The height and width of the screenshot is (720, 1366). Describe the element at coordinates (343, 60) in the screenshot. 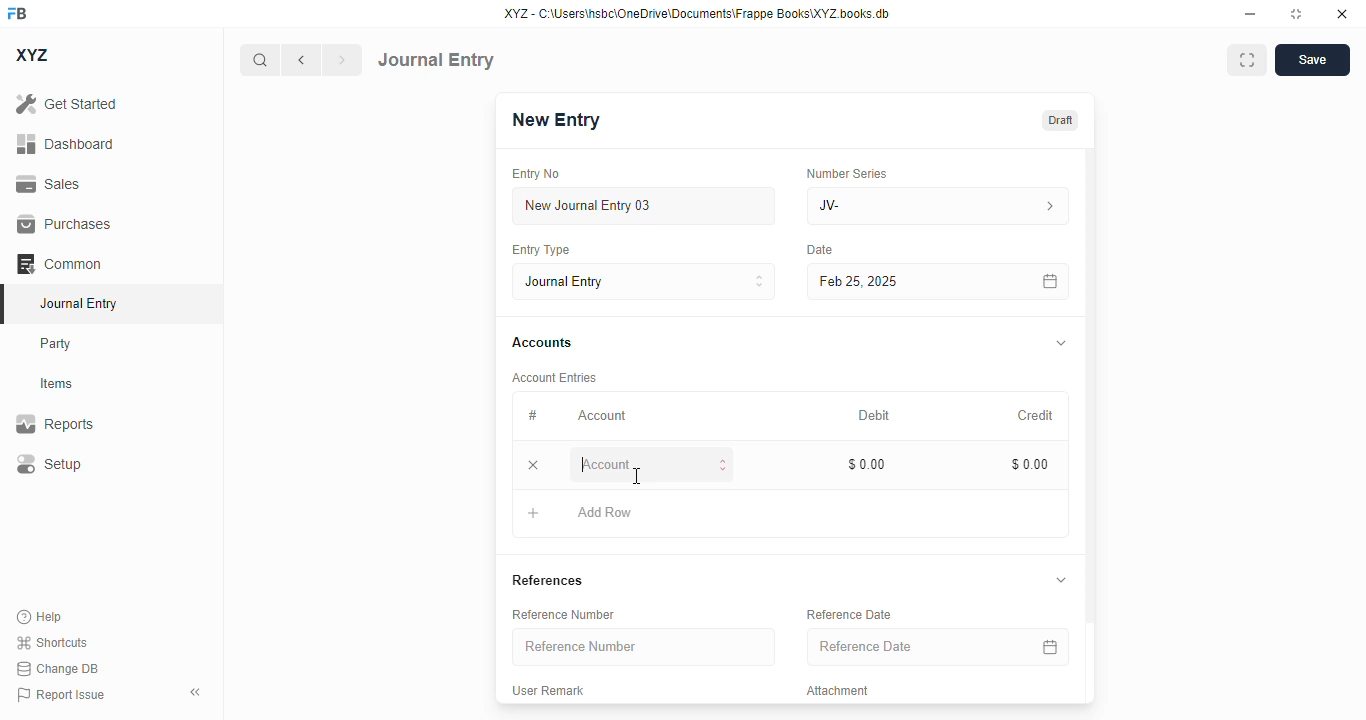

I see `next` at that location.